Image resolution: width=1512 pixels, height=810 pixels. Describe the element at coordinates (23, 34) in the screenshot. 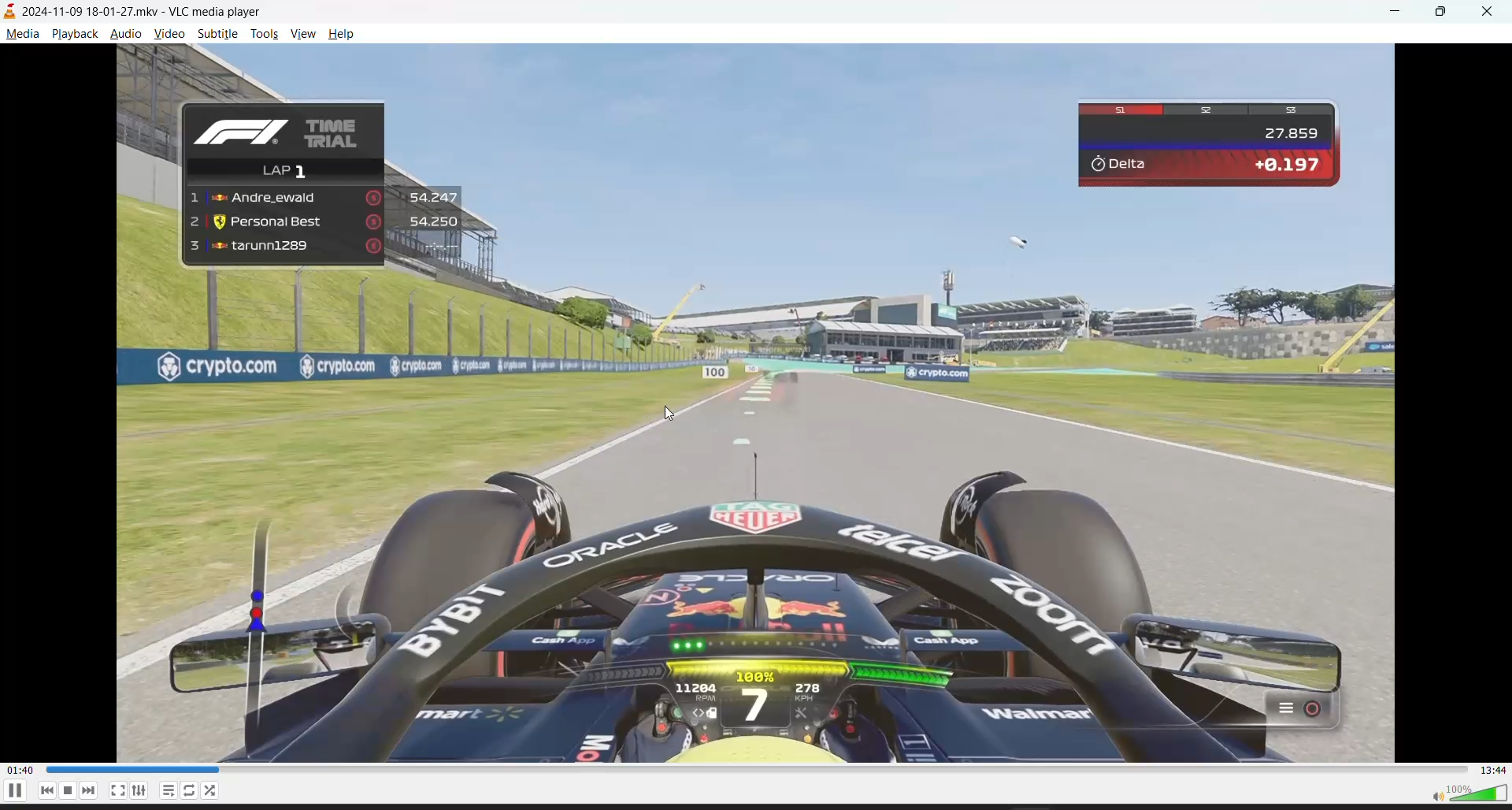

I see `media` at that location.